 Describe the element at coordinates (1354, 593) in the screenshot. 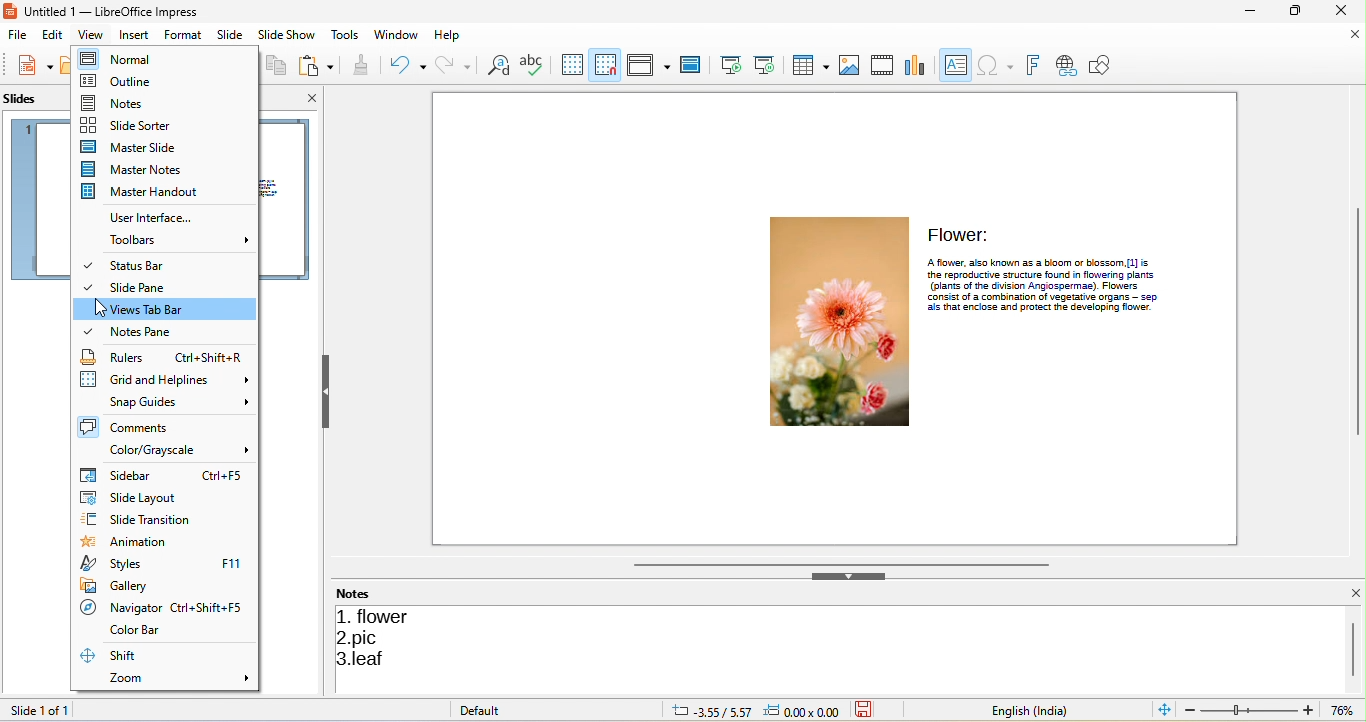

I see `close` at that location.